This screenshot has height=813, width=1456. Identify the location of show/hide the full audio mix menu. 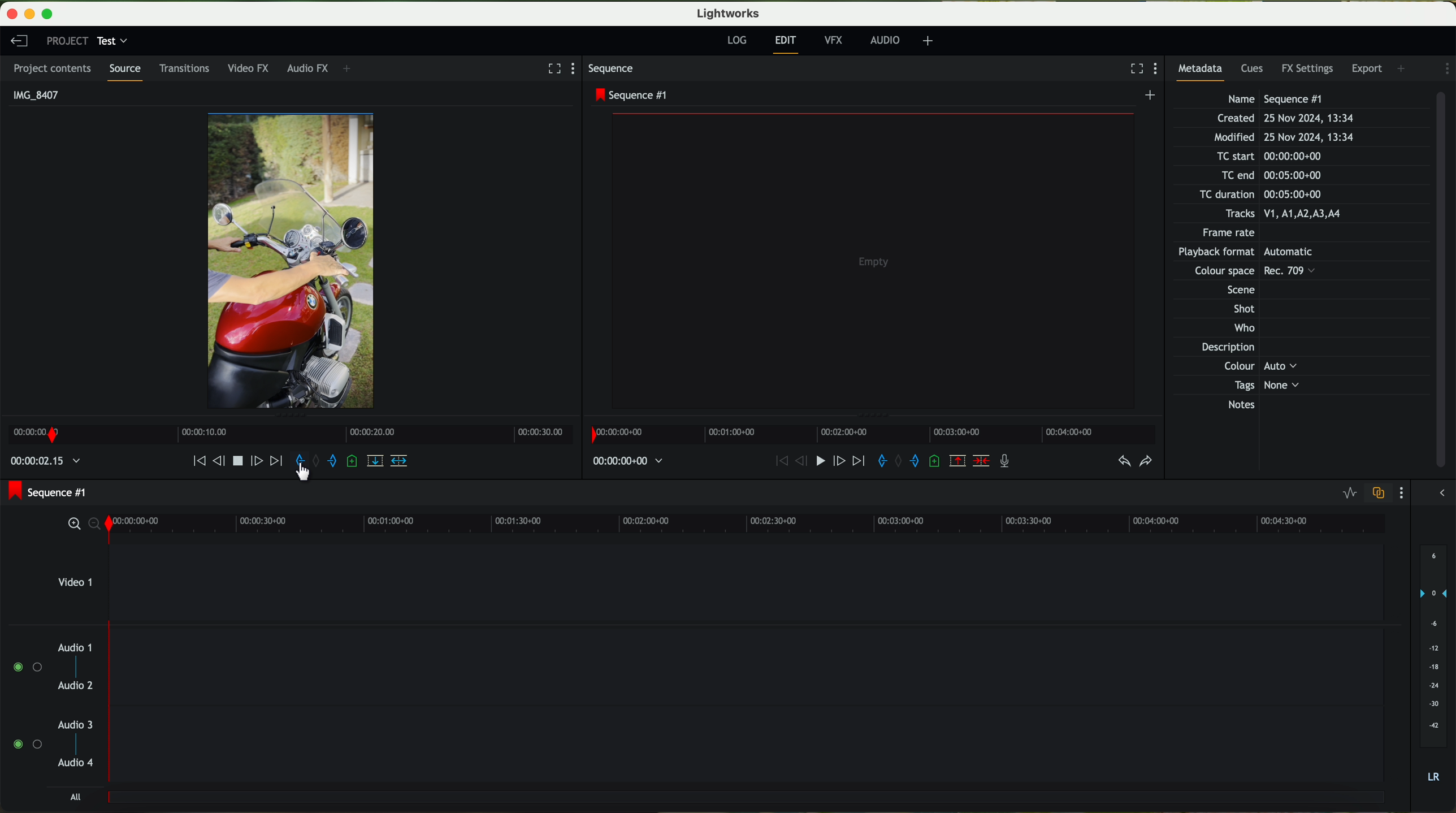
(1442, 491).